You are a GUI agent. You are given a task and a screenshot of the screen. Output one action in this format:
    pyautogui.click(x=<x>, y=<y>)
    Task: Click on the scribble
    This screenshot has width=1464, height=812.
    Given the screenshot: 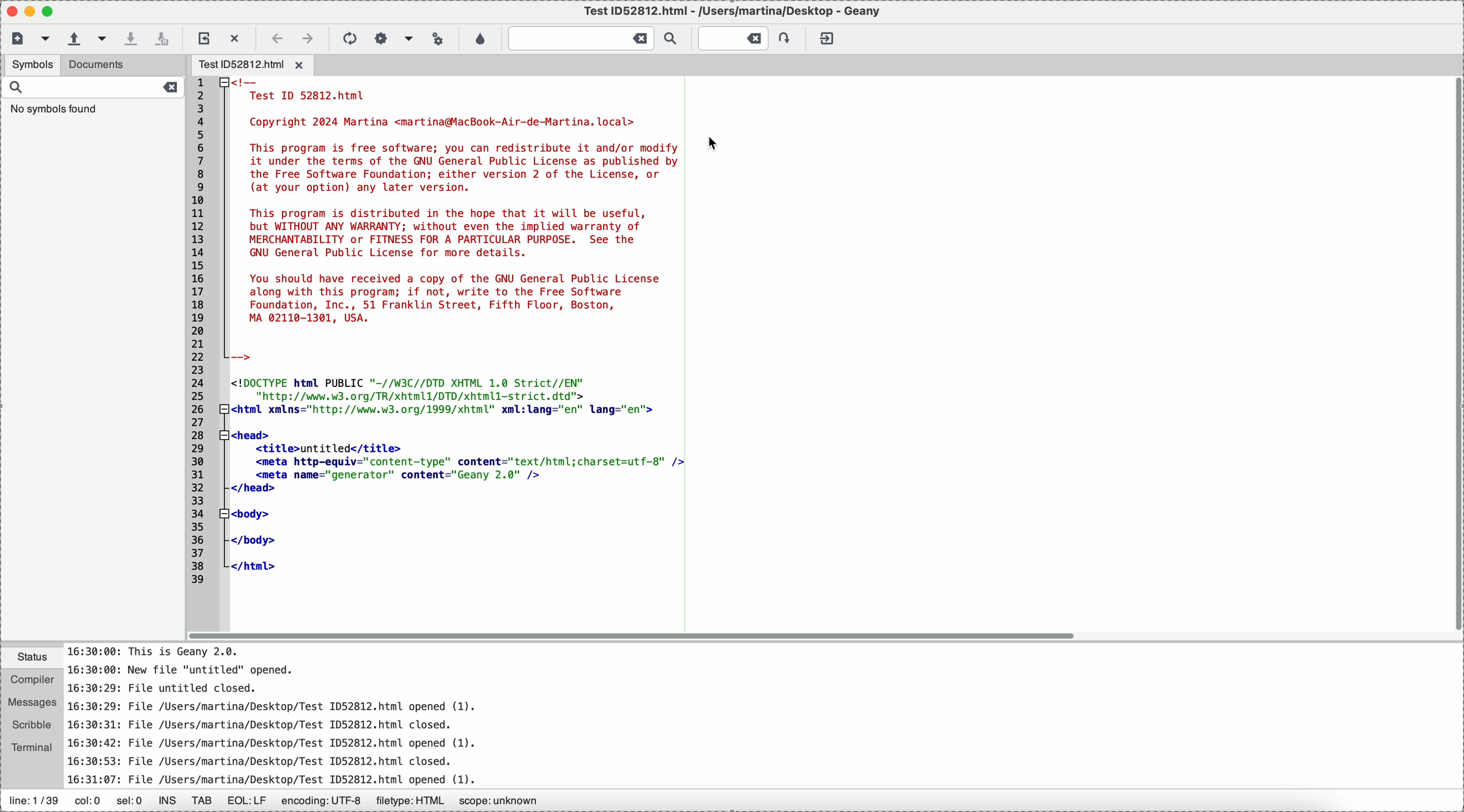 What is the action you would take?
    pyautogui.click(x=32, y=726)
    